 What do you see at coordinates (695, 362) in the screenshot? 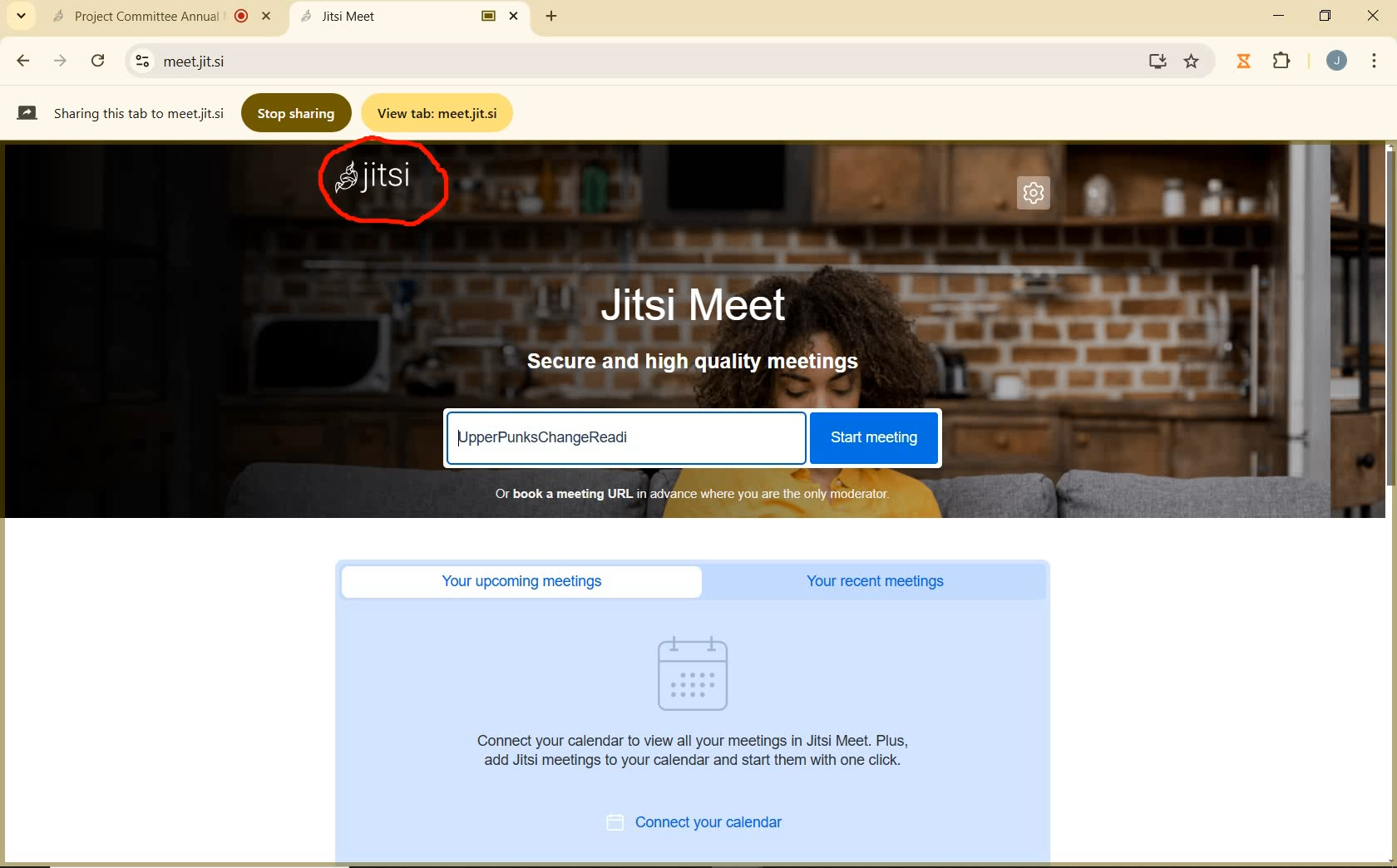
I see `SECURE AND HIGH QUALITY MEETINGS` at bounding box center [695, 362].